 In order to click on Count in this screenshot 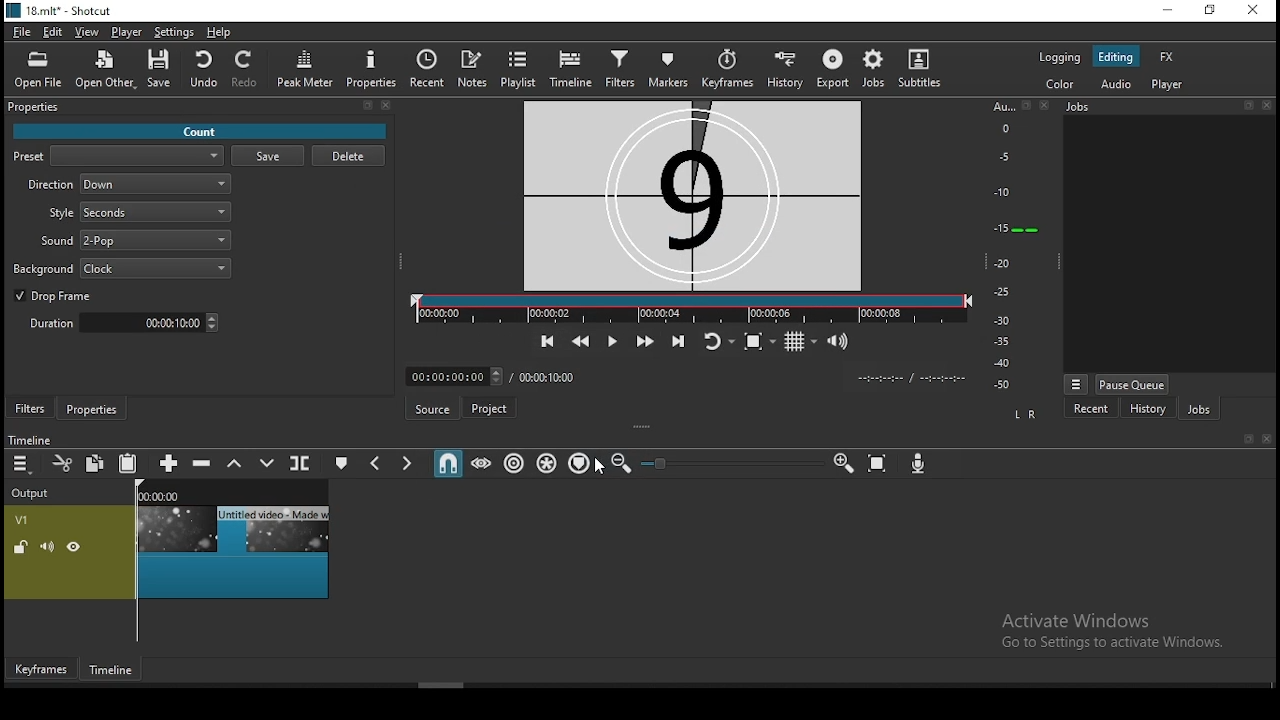, I will do `click(200, 132)`.